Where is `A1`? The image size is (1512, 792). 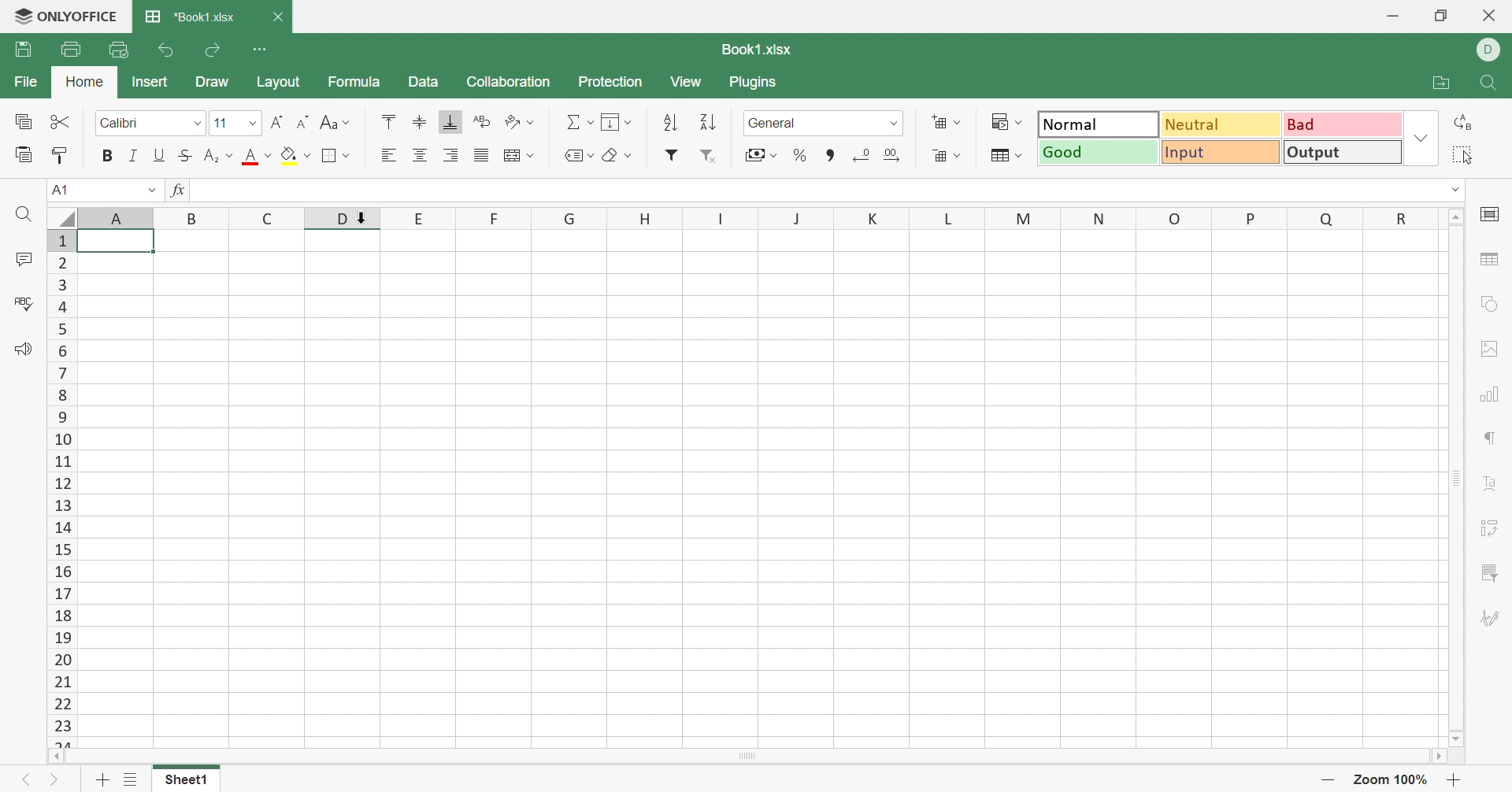 A1 is located at coordinates (69, 190).